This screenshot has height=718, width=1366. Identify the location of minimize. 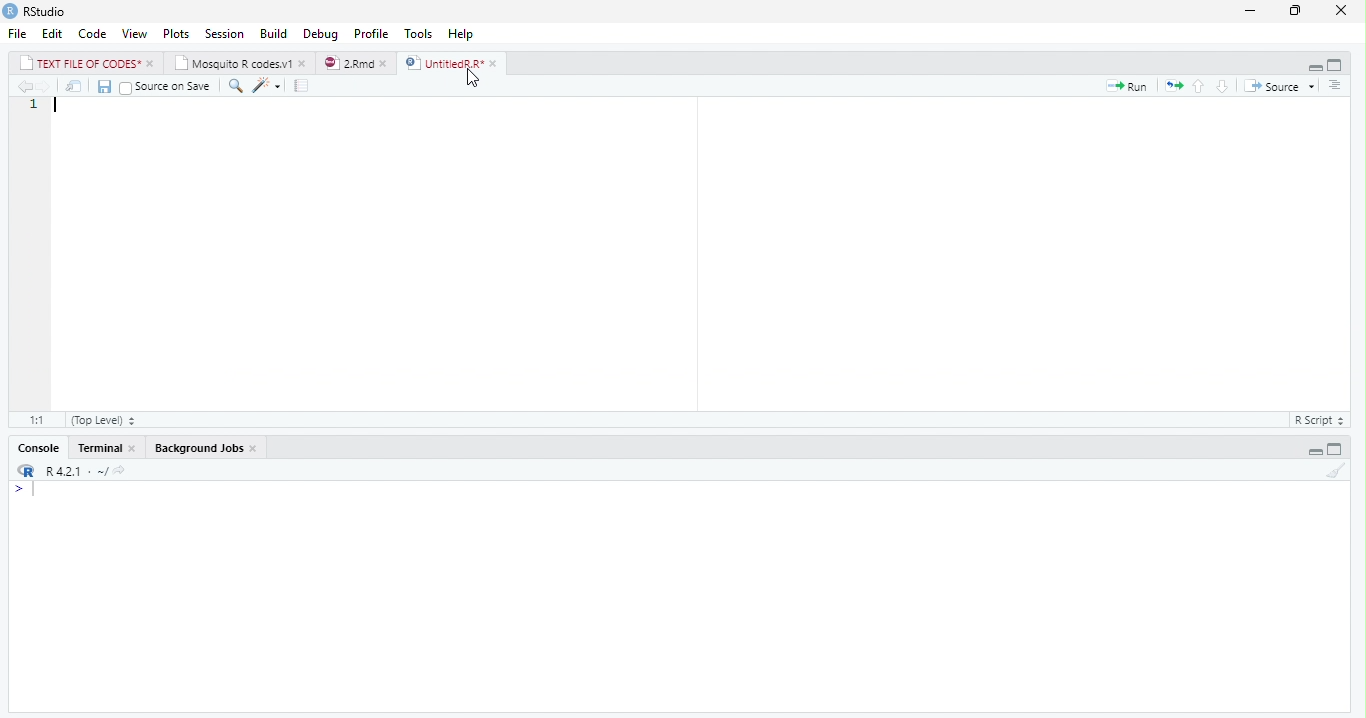
(1250, 12).